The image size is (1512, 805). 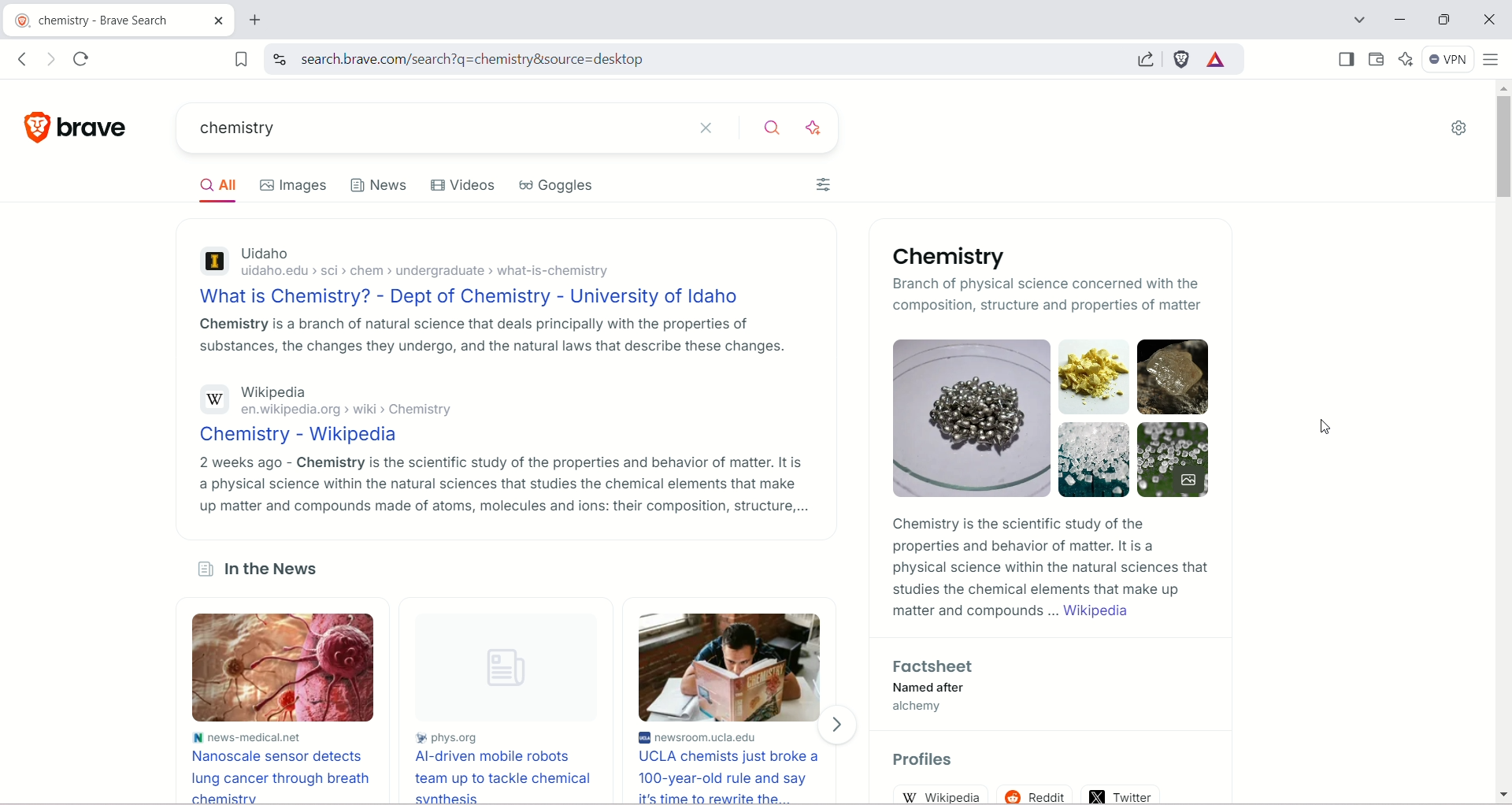 What do you see at coordinates (82, 60) in the screenshot?
I see `reload` at bounding box center [82, 60].